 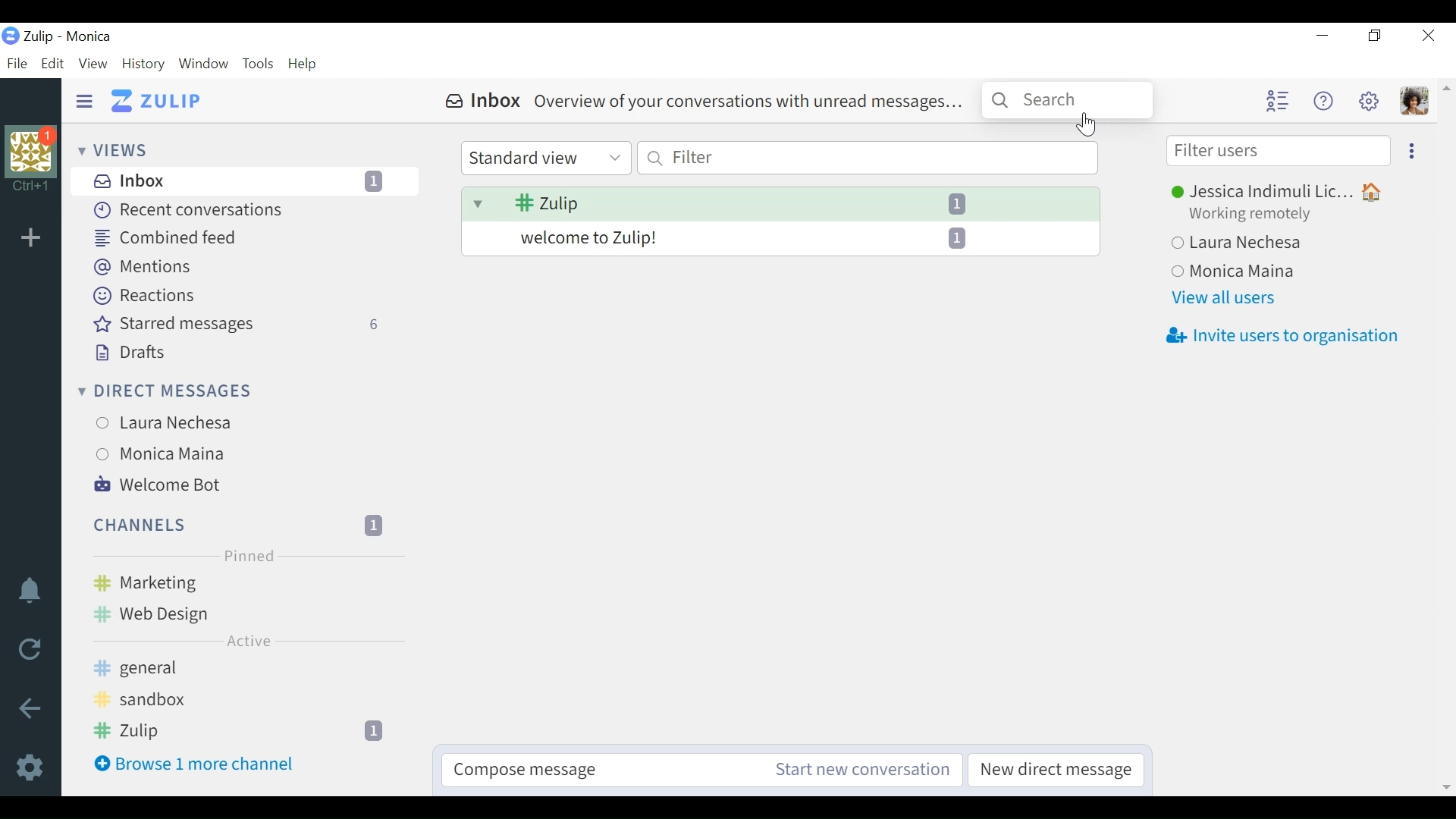 I want to click on Filter users, so click(x=1280, y=152).